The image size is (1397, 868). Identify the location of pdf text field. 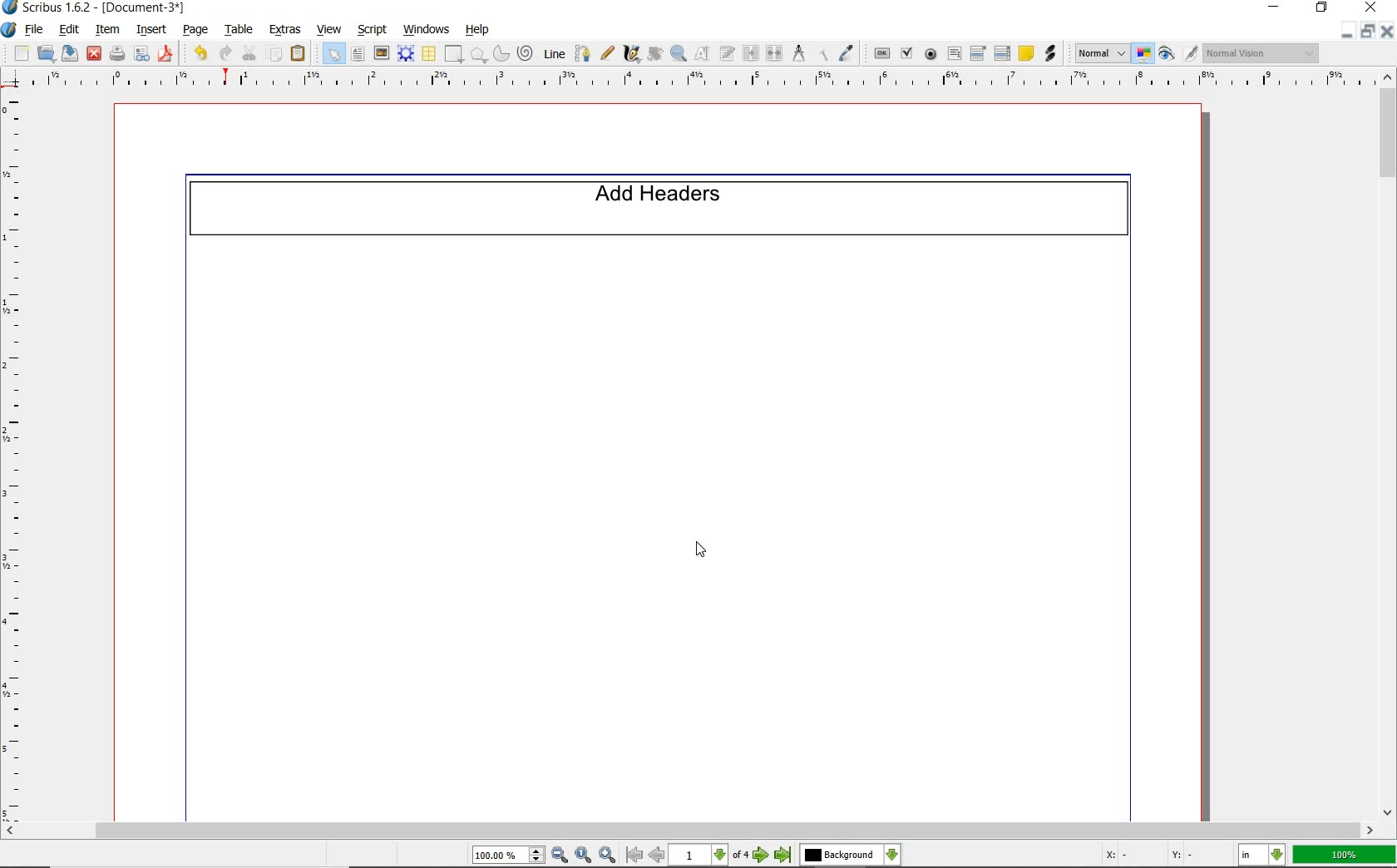
(953, 52).